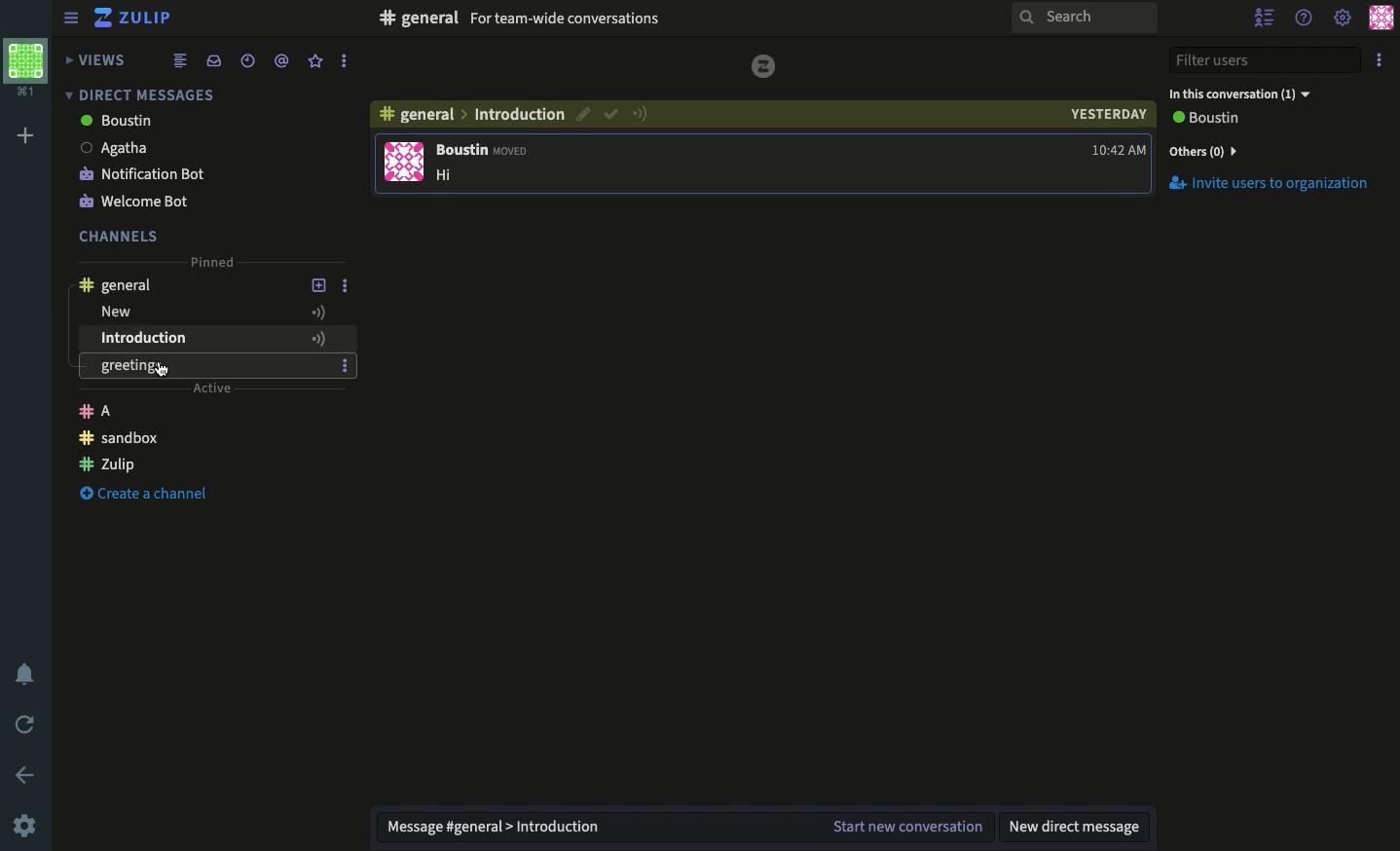 Image resolution: width=1400 pixels, height=851 pixels. What do you see at coordinates (1342, 19) in the screenshot?
I see `Settings ` at bounding box center [1342, 19].